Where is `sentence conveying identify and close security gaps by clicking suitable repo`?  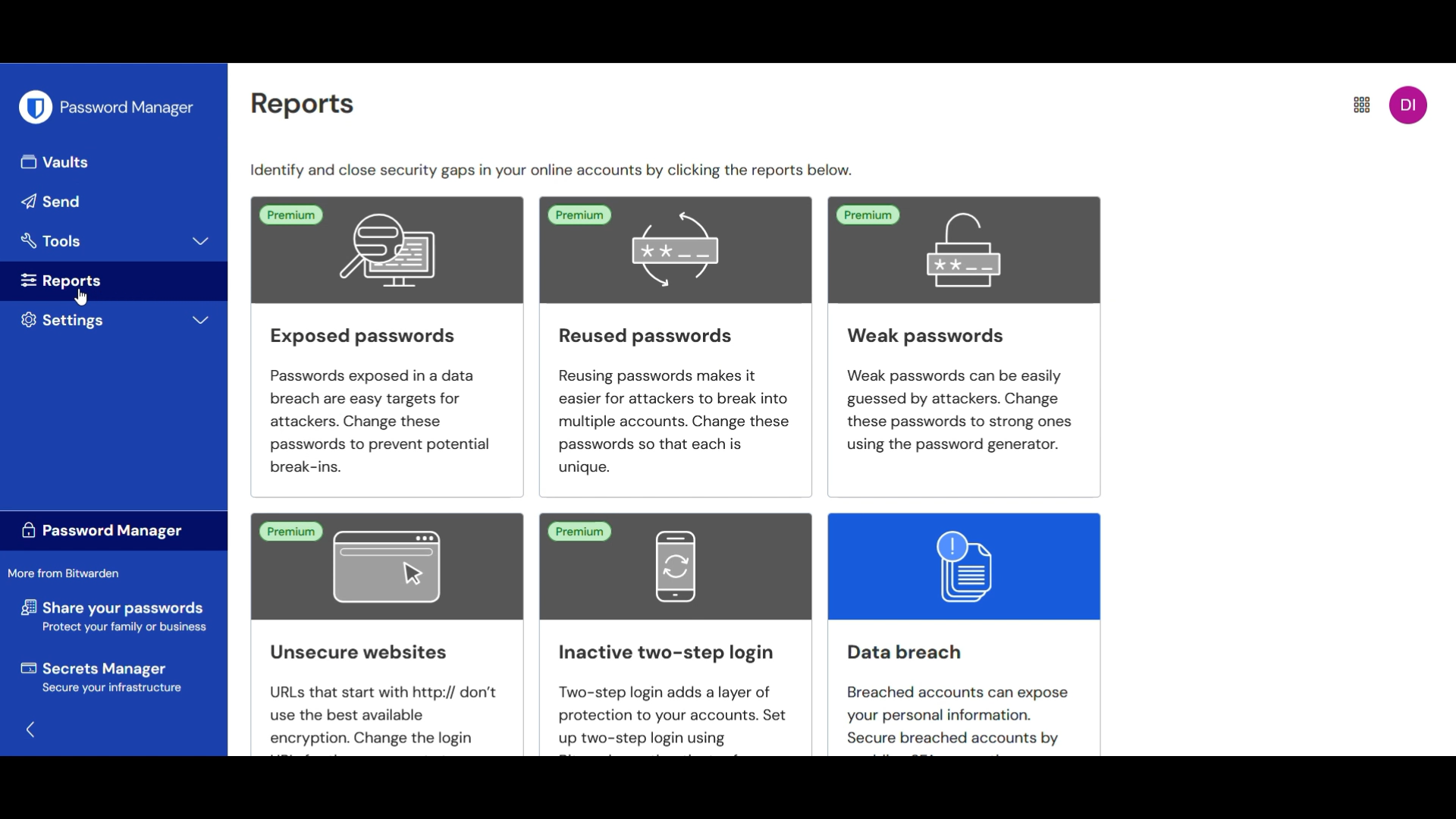 sentence conveying identify and close security gaps by clicking suitable repo is located at coordinates (562, 168).